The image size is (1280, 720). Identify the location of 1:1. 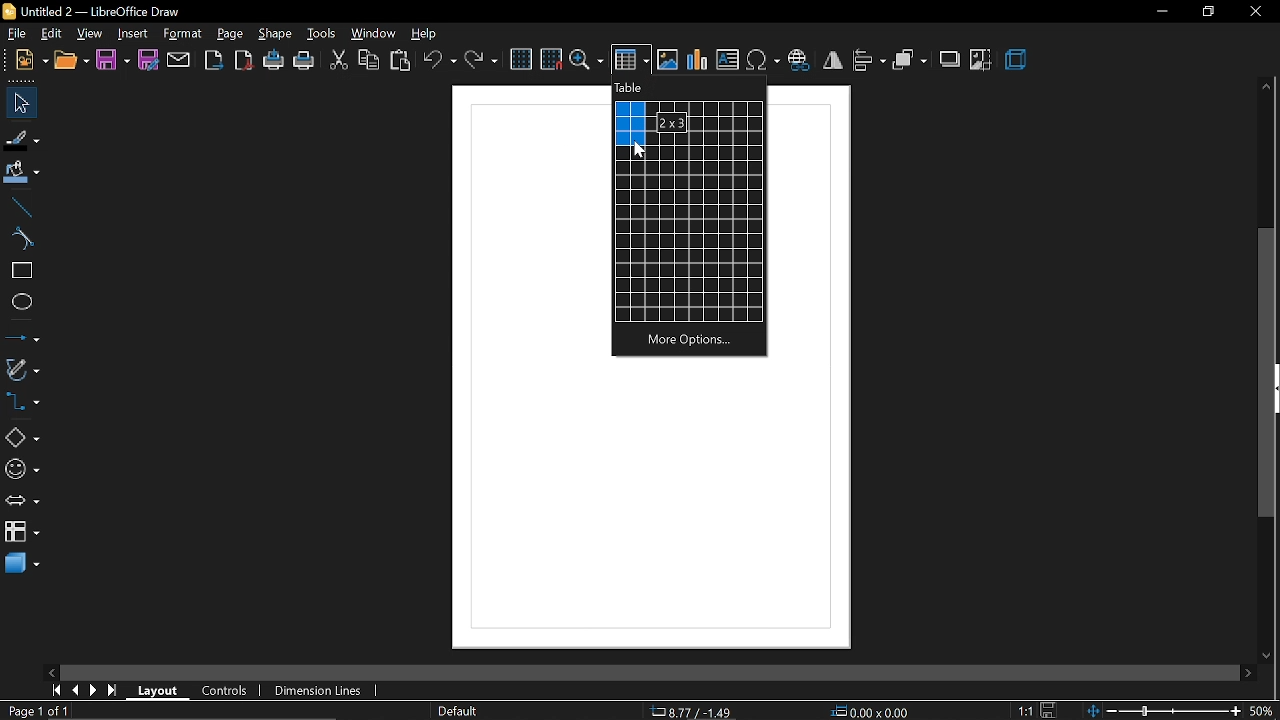
(1025, 711).